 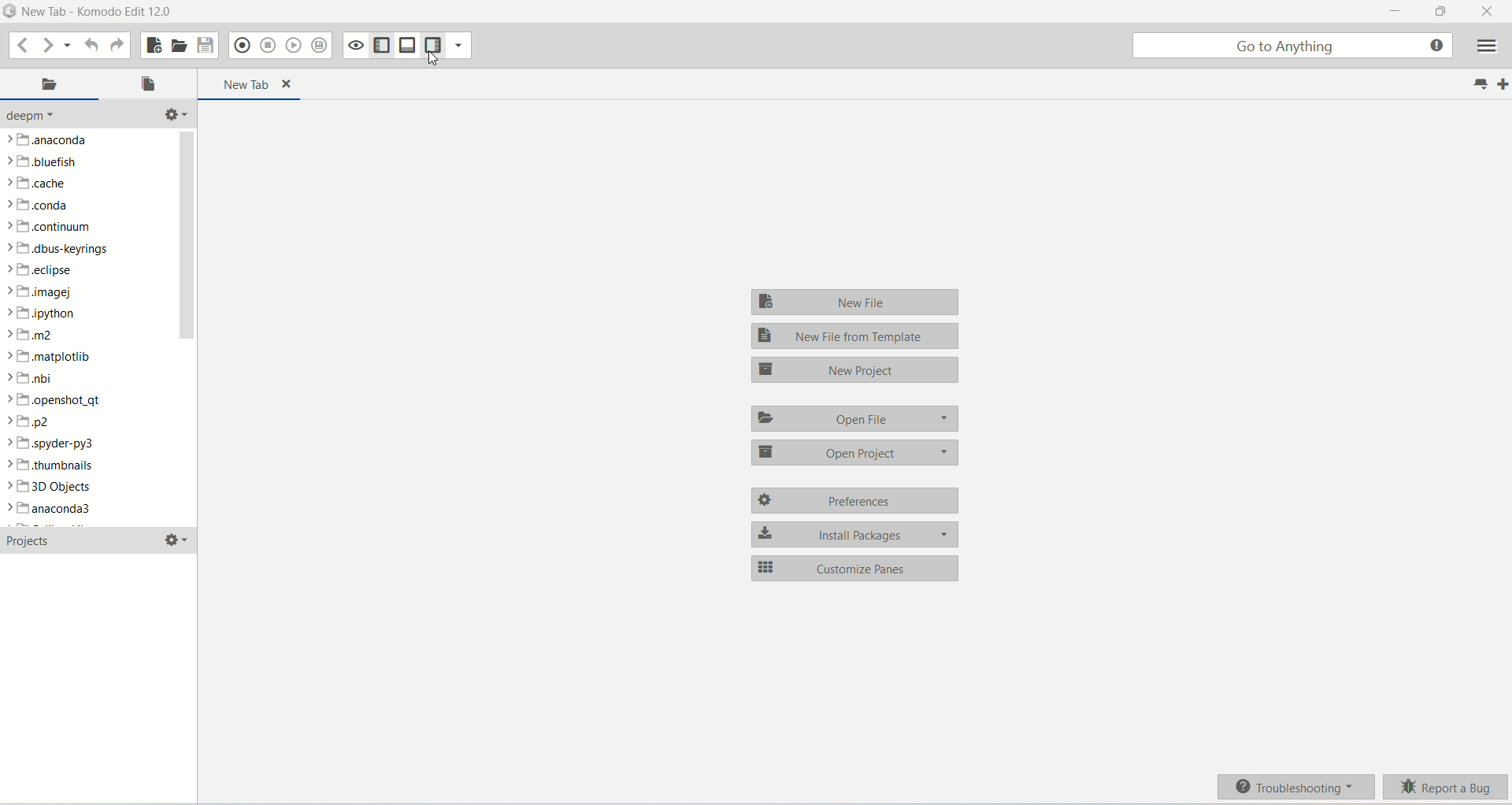 What do you see at coordinates (205, 43) in the screenshot?
I see `save file` at bounding box center [205, 43].